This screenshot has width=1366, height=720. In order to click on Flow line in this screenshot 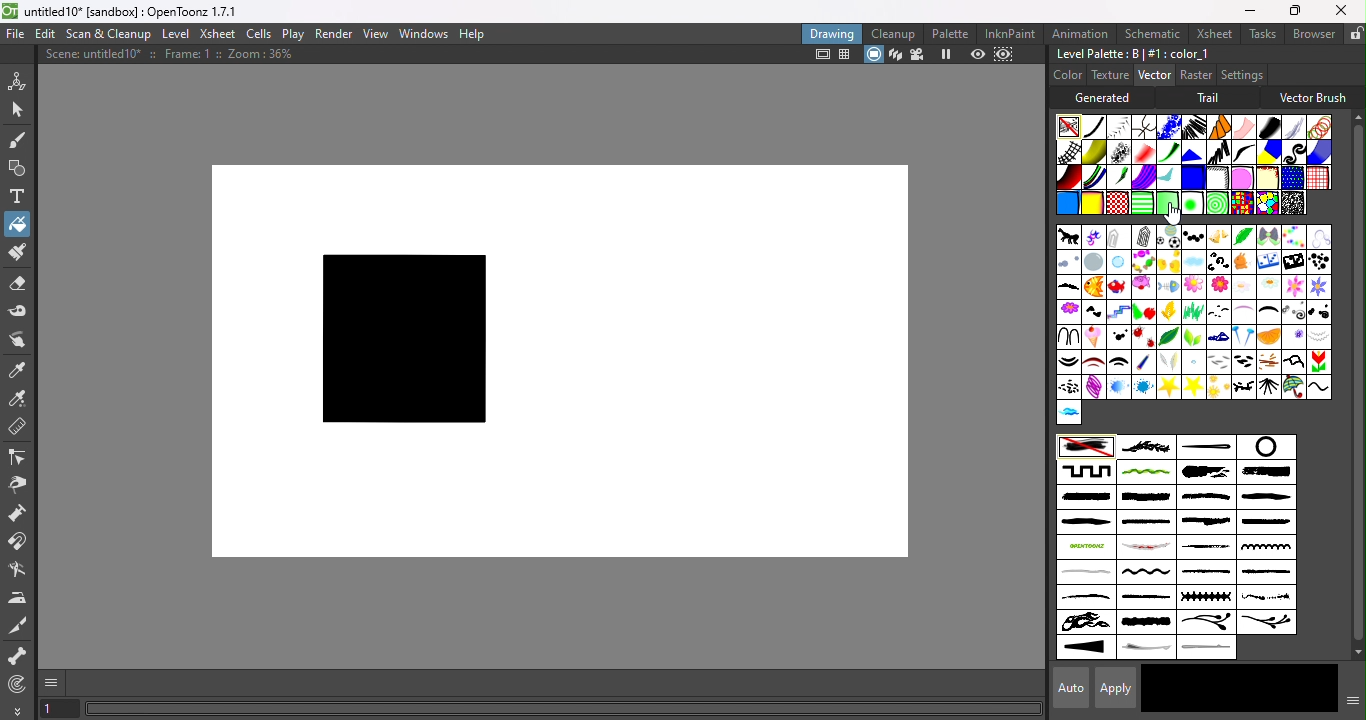, I will do `click(1167, 179)`.